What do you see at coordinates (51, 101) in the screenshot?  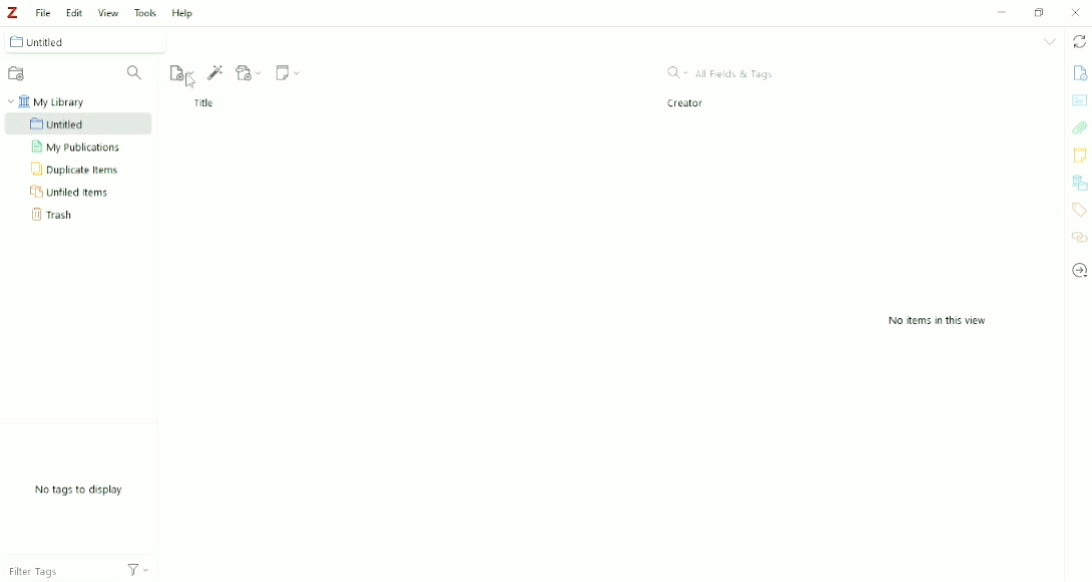 I see `My Library` at bounding box center [51, 101].